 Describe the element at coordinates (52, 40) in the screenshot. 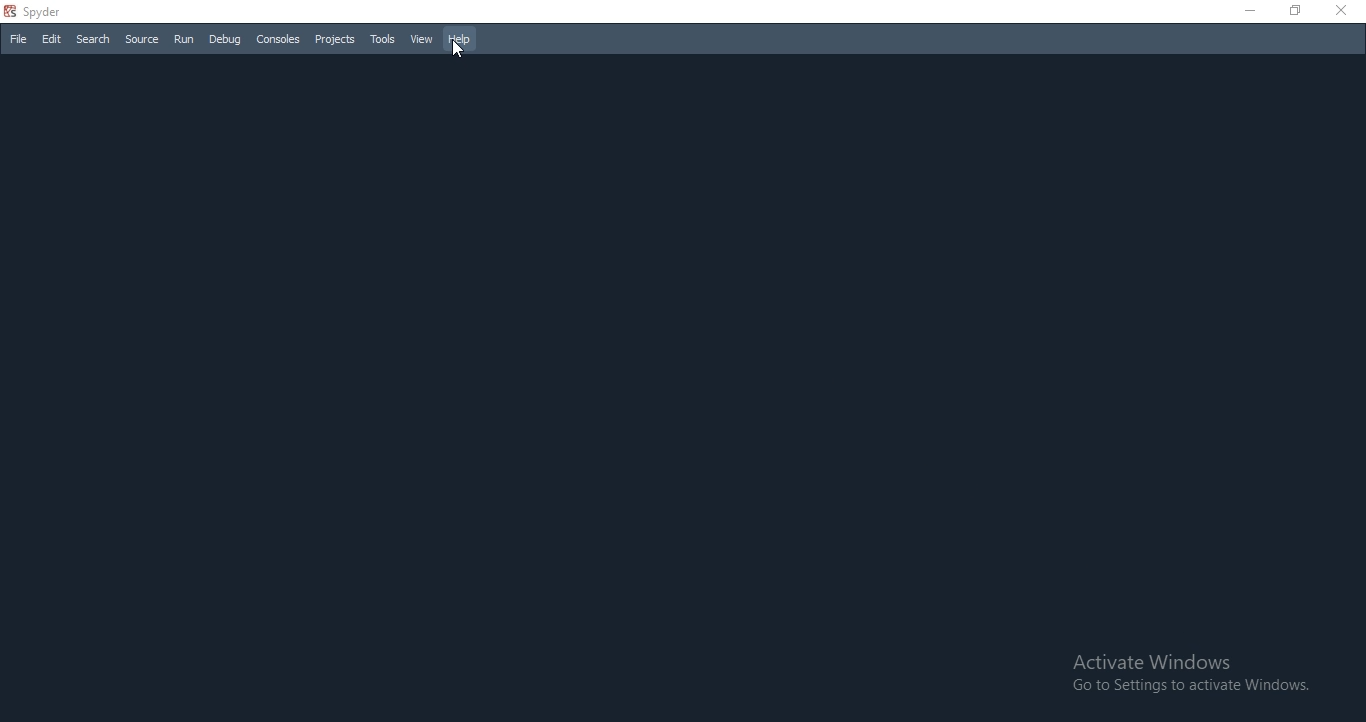

I see `Edit` at that location.